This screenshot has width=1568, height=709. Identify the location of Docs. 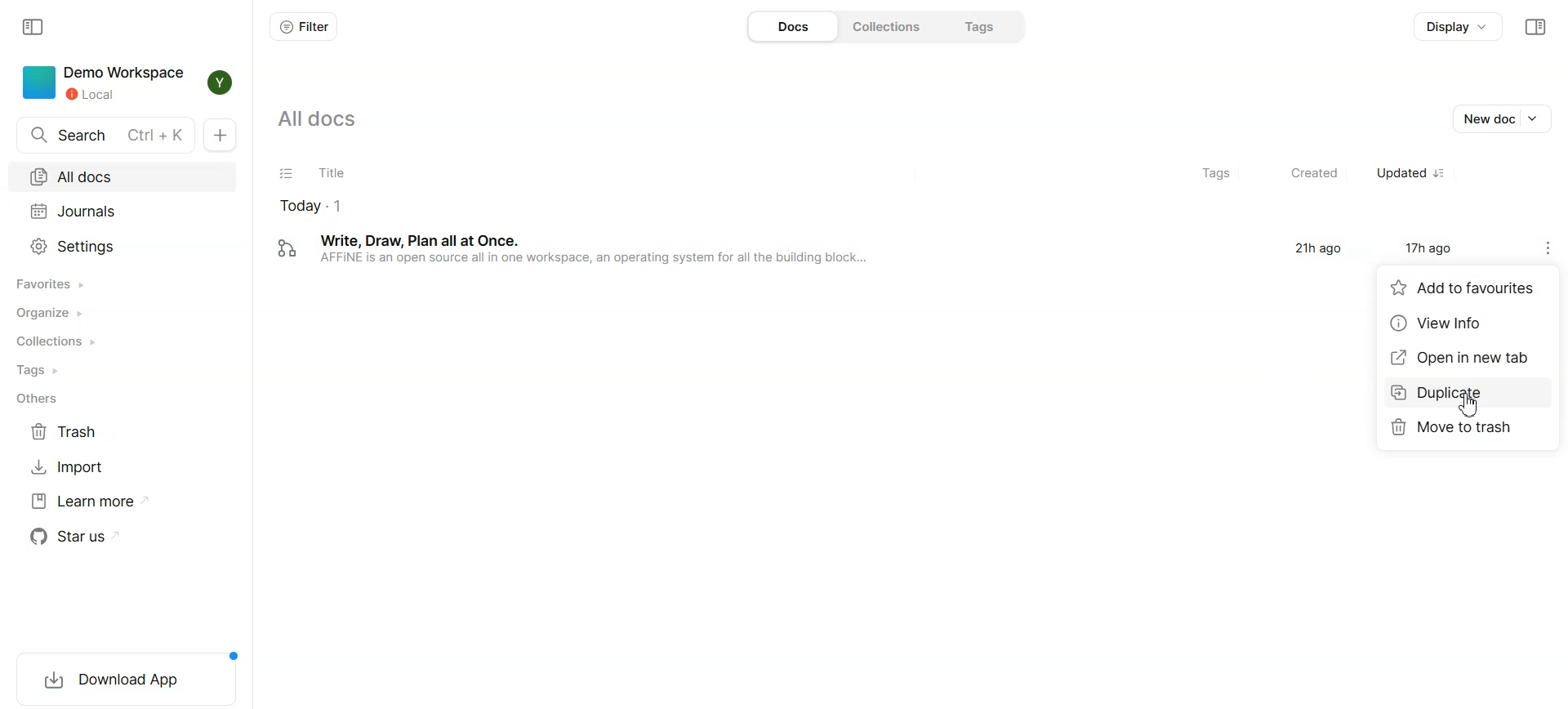
(789, 27).